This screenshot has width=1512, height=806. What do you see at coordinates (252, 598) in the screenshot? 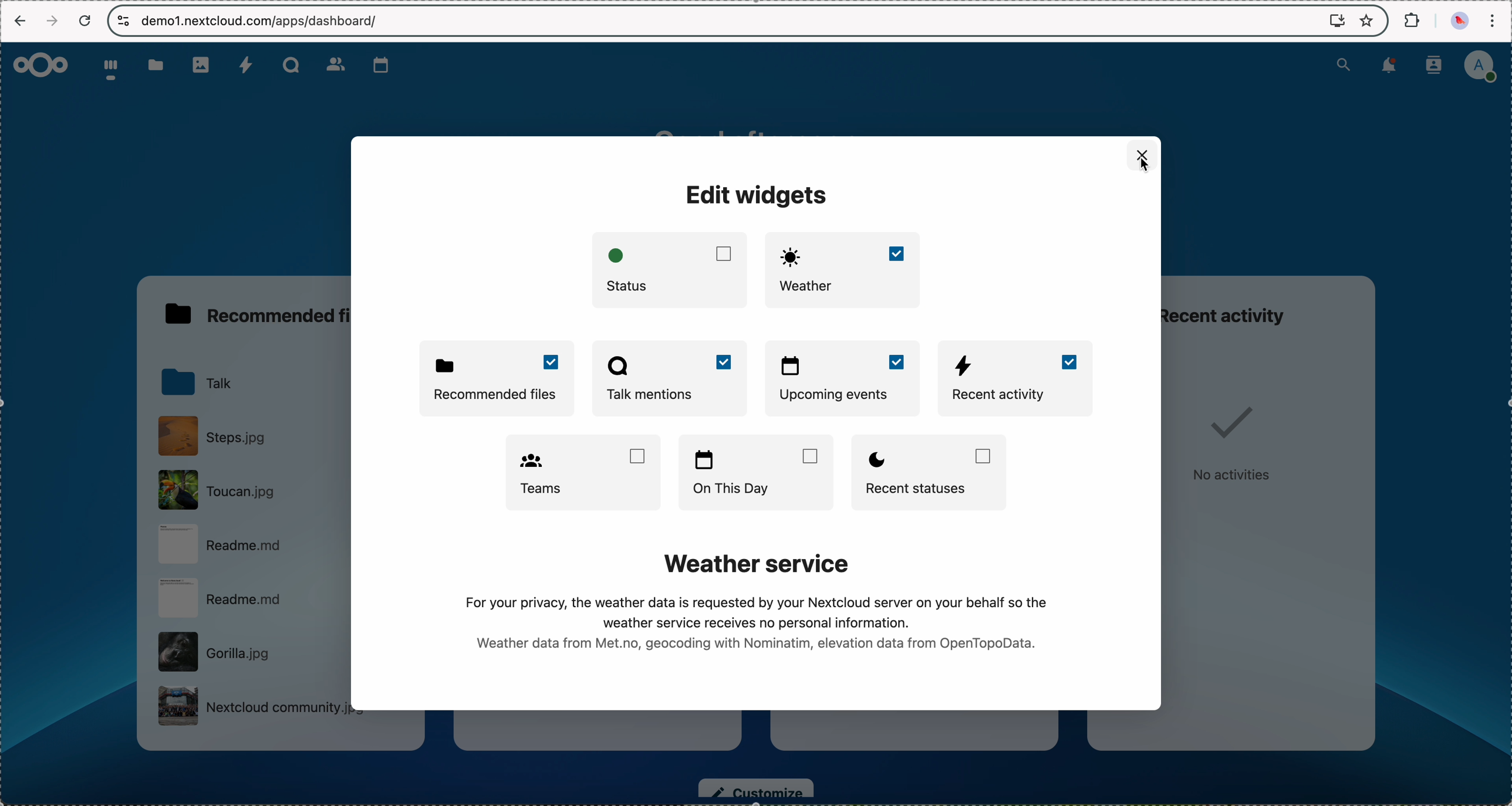
I see `file` at bounding box center [252, 598].